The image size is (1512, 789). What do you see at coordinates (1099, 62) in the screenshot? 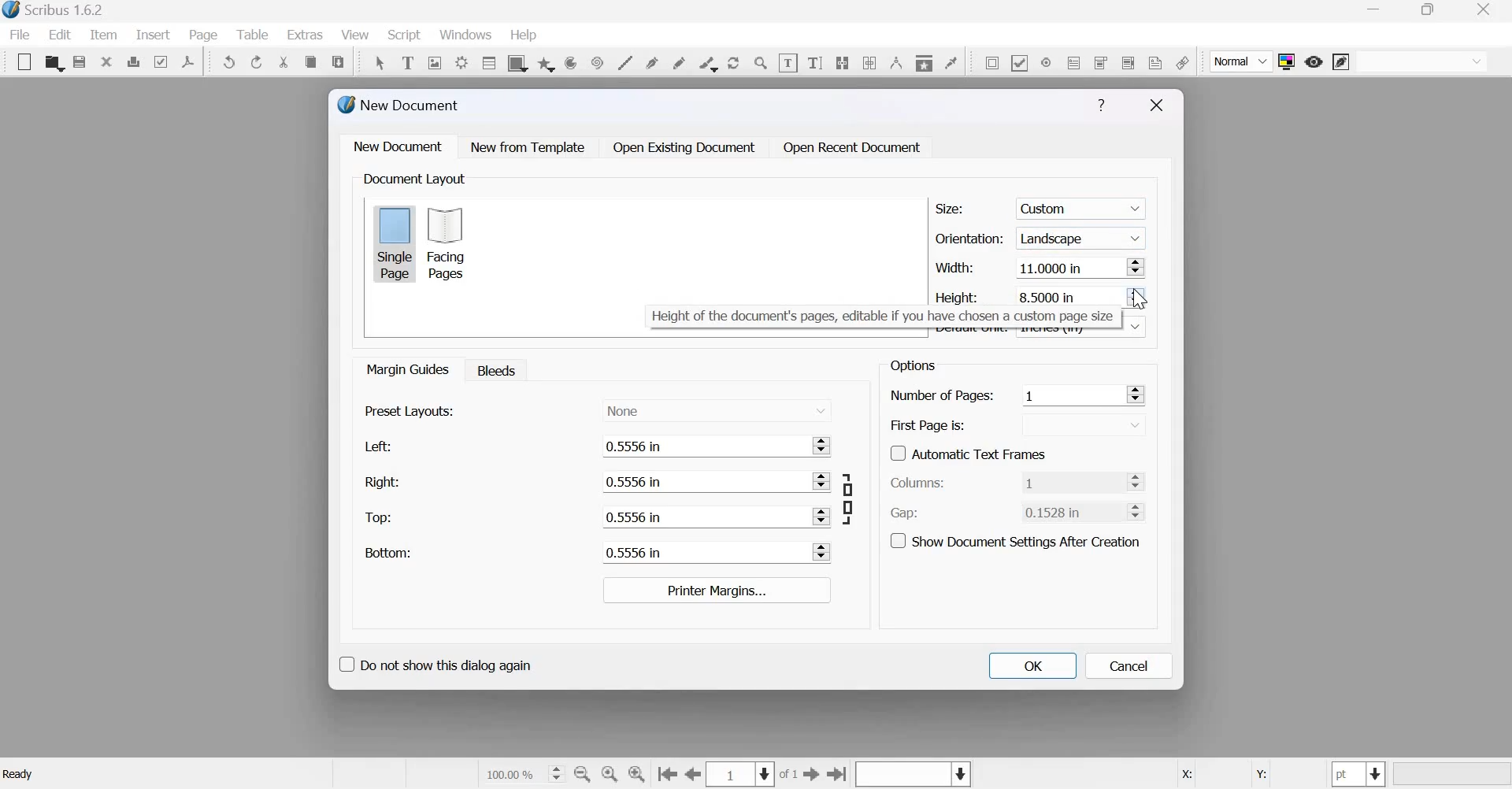
I see `PDF combo box` at bounding box center [1099, 62].